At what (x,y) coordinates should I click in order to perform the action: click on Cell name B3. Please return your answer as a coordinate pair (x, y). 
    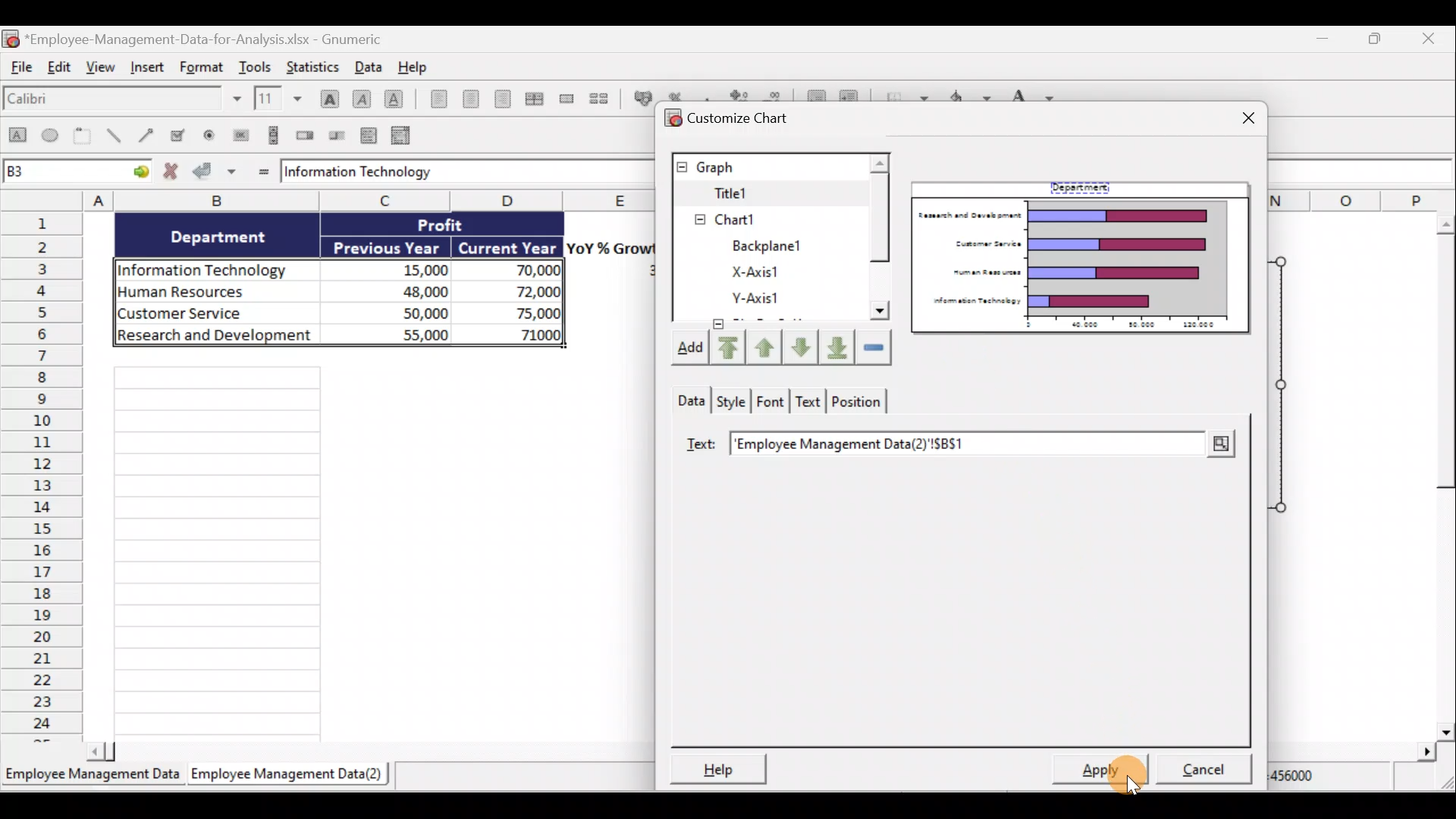
    Looking at the image, I should click on (61, 173).